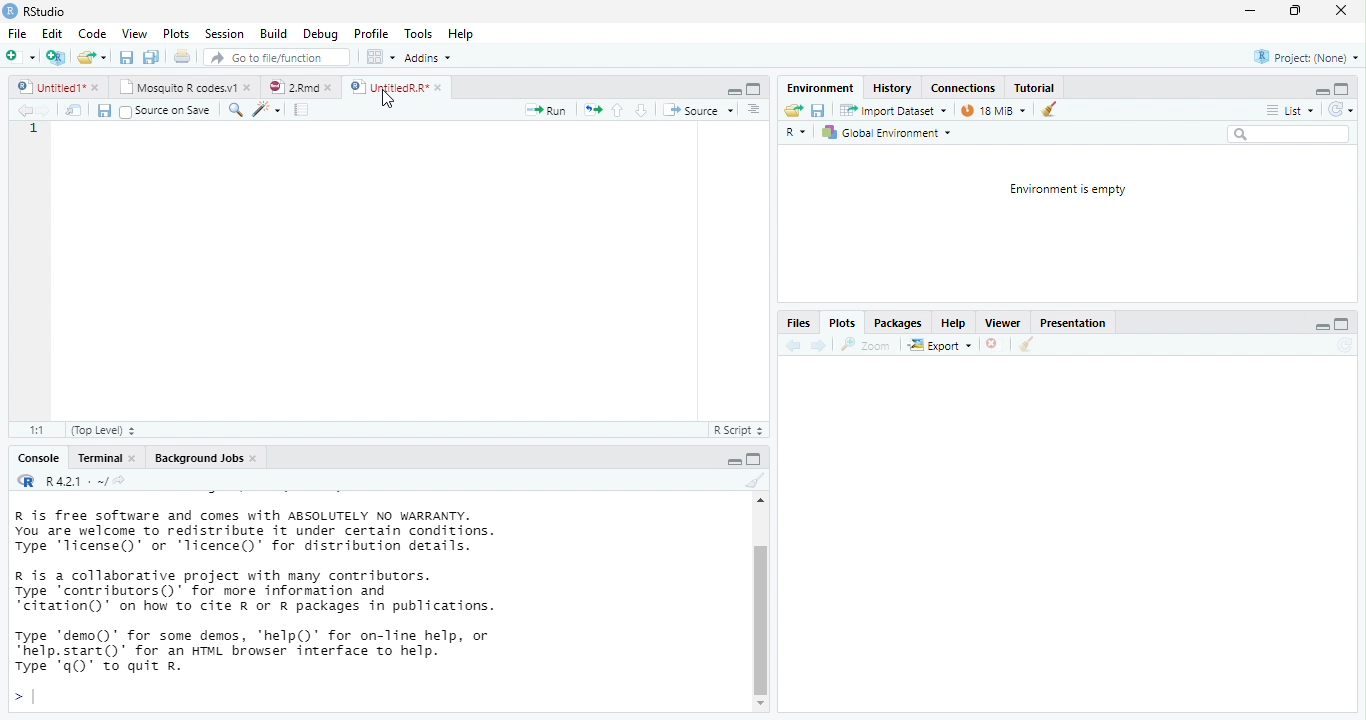 This screenshot has width=1366, height=720. What do you see at coordinates (273, 57) in the screenshot?
I see `Go to file/function` at bounding box center [273, 57].